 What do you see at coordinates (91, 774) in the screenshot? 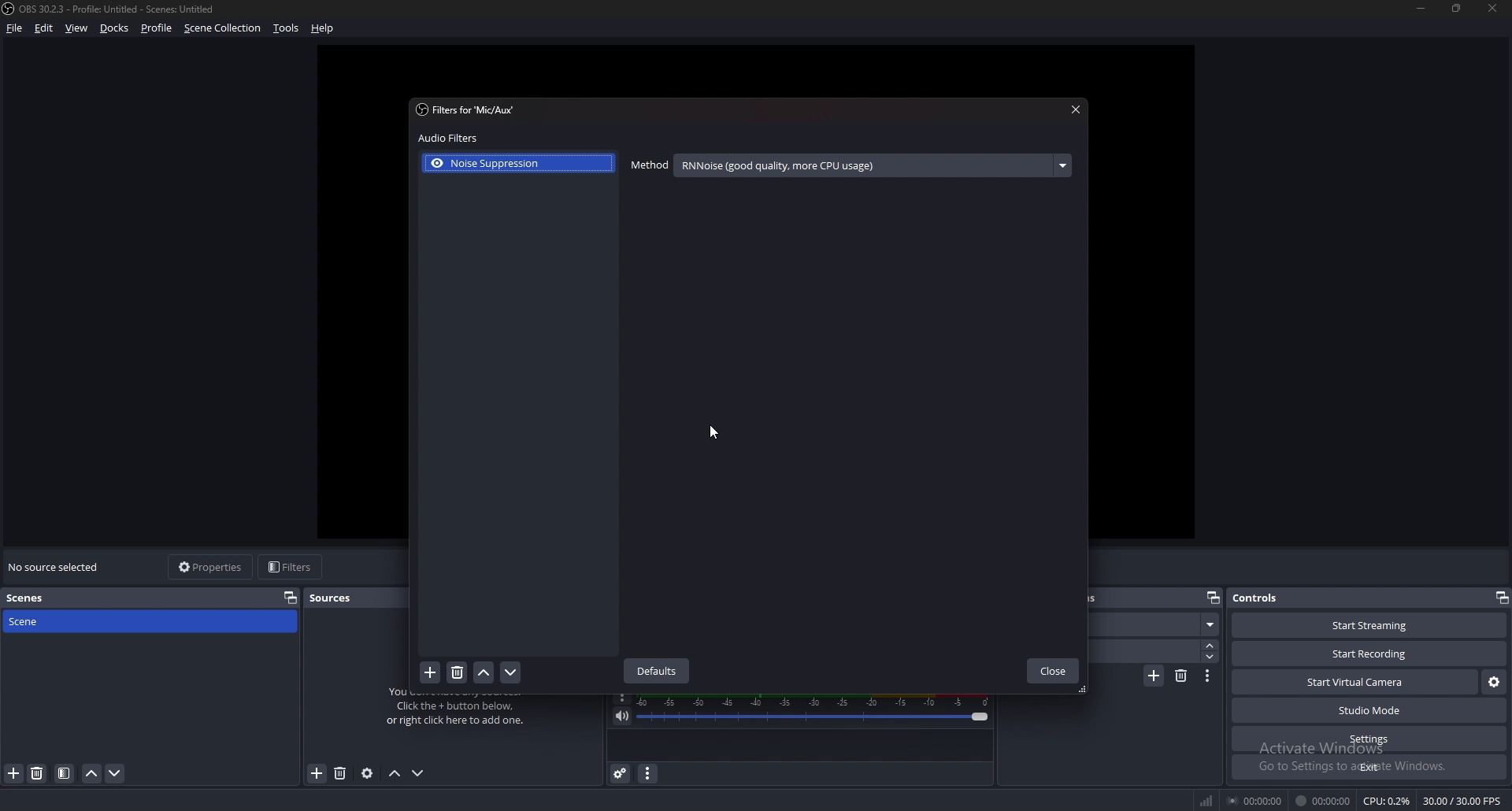
I see `move scene up` at bounding box center [91, 774].